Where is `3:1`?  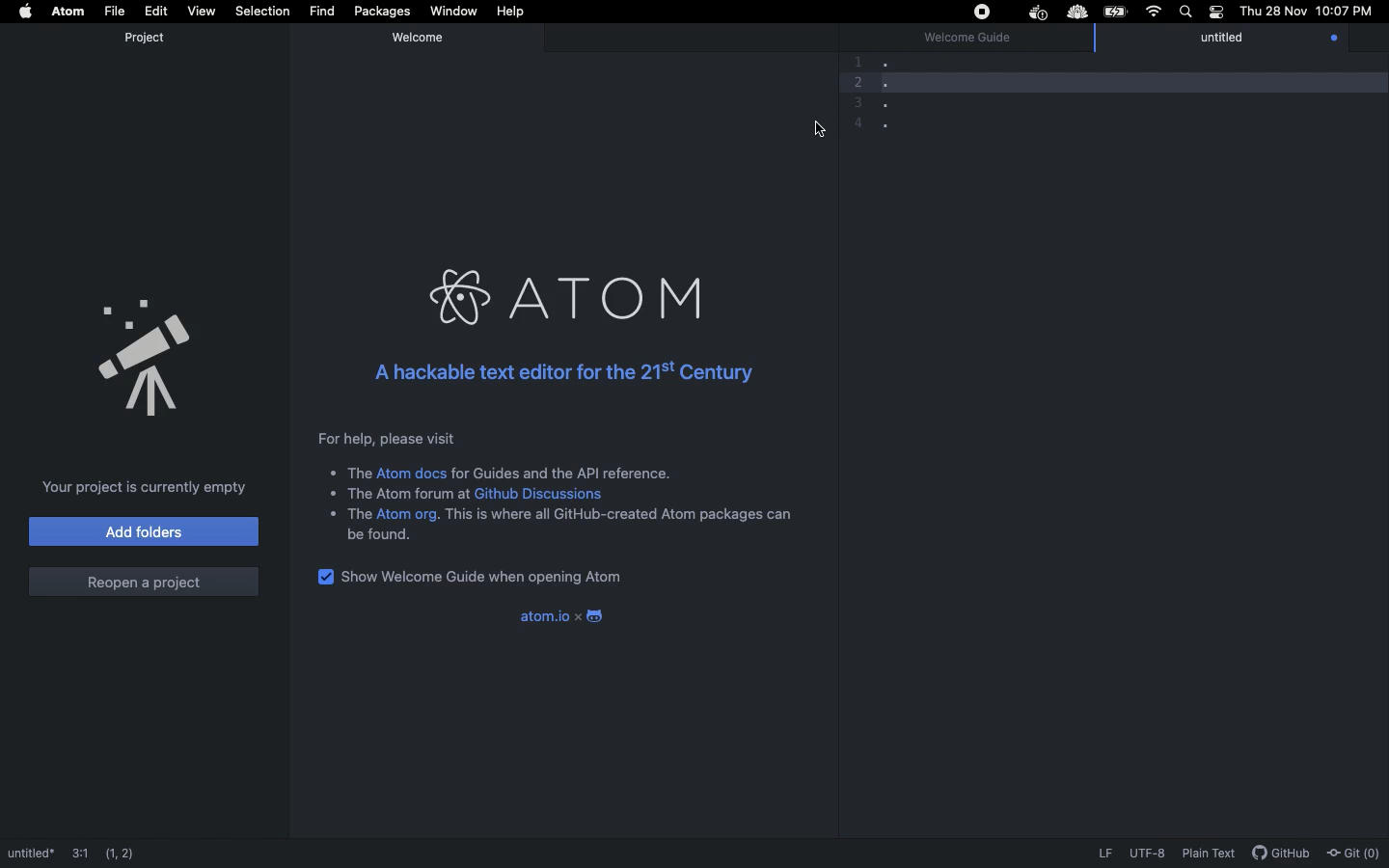
3:1 is located at coordinates (79, 847).